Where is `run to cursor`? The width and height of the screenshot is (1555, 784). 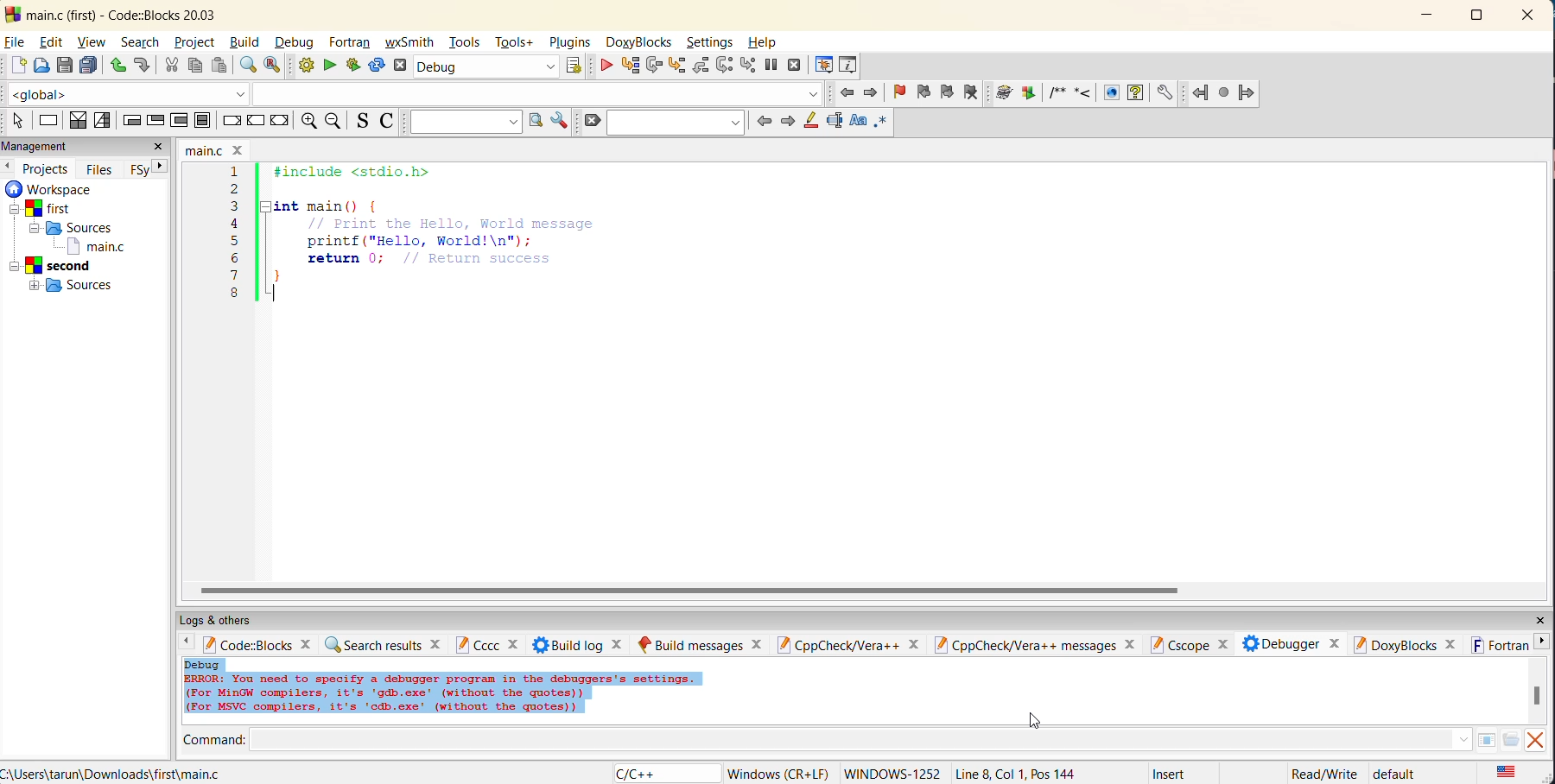
run to cursor is located at coordinates (628, 65).